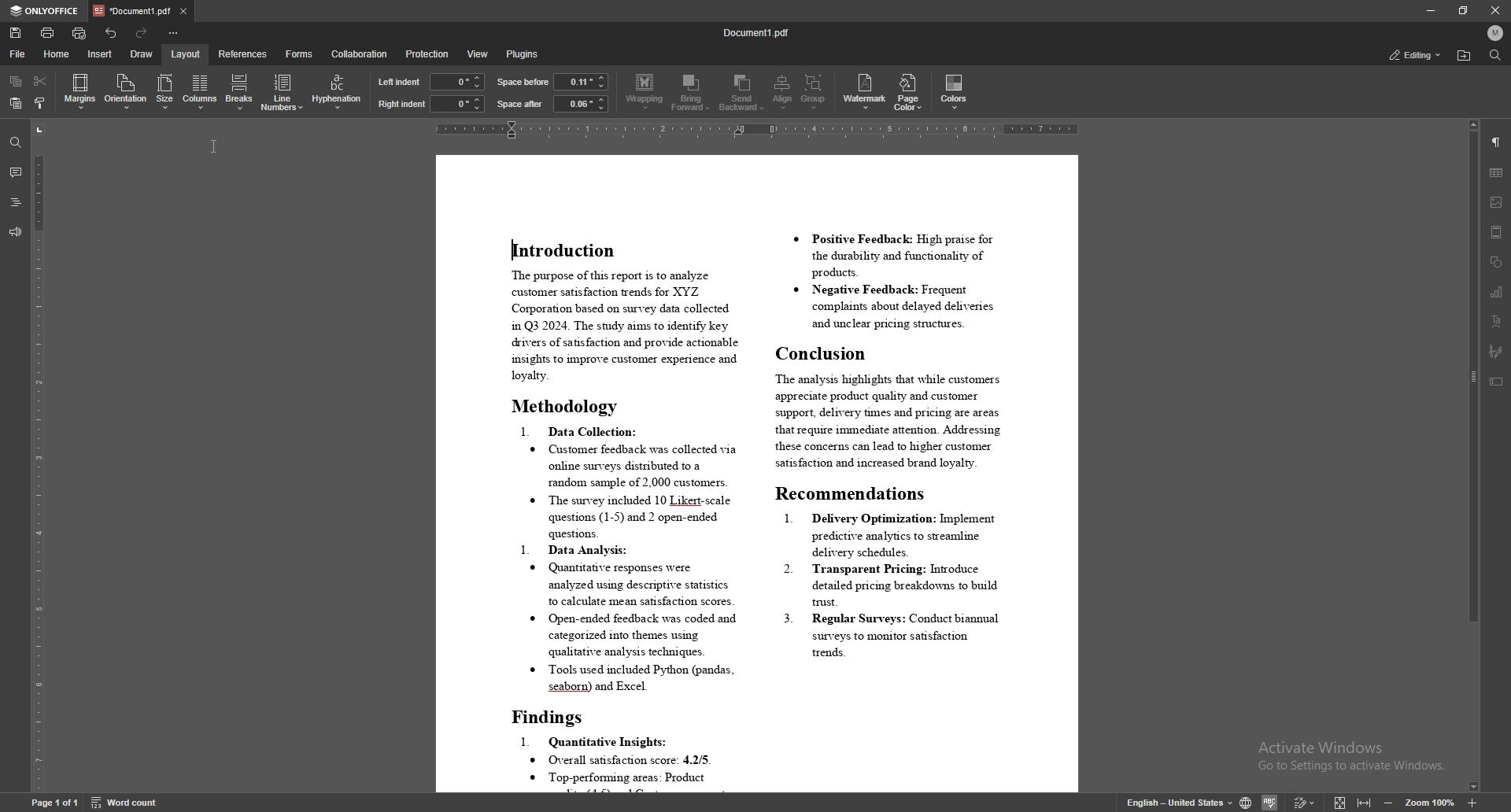 This screenshot has height=812, width=1511. Describe the element at coordinates (458, 104) in the screenshot. I see `right indent input` at that location.